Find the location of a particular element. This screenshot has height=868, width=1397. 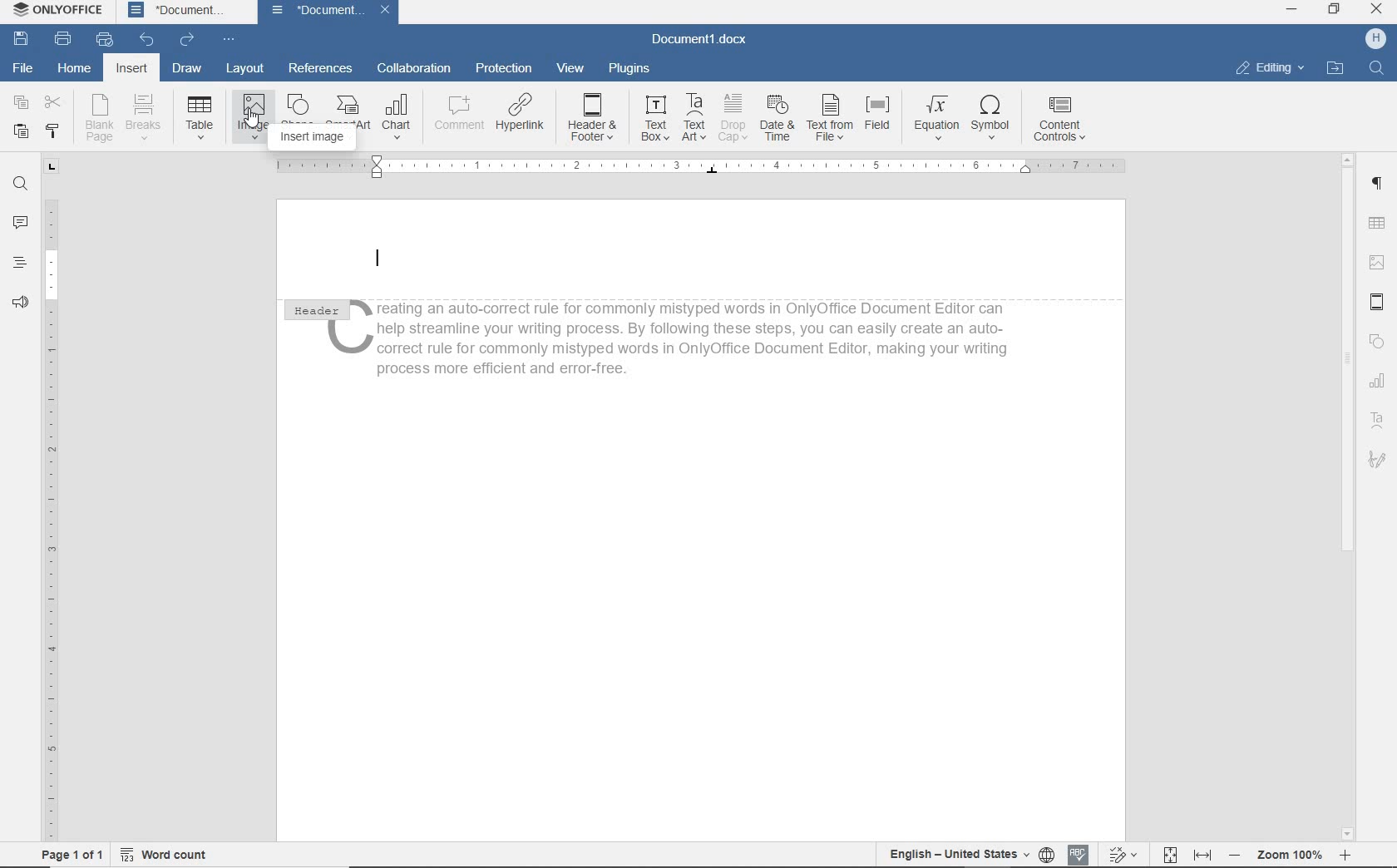

RULER is located at coordinates (51, 498).